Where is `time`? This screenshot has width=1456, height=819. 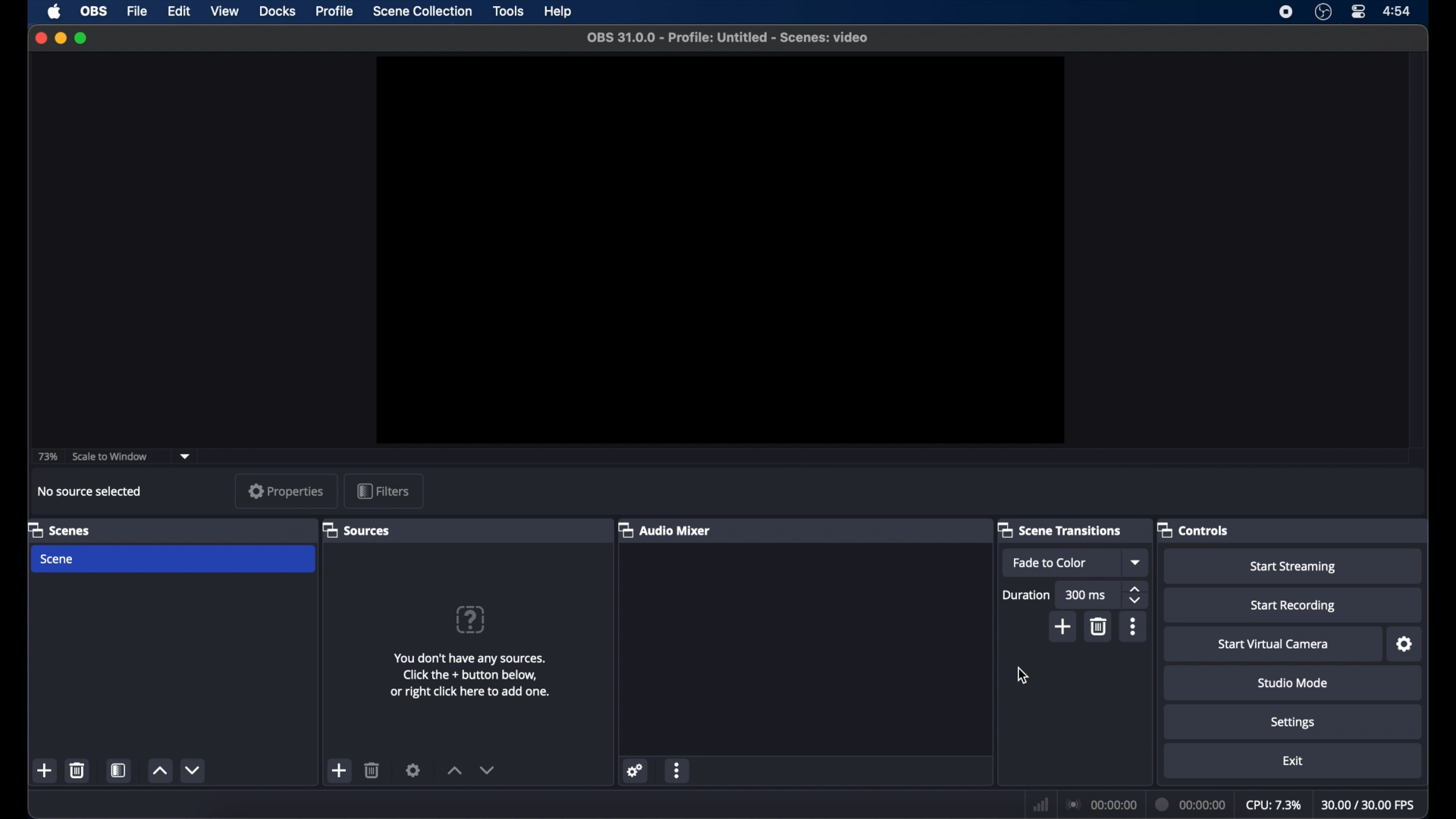
time is located at coordinates (1398, 12).